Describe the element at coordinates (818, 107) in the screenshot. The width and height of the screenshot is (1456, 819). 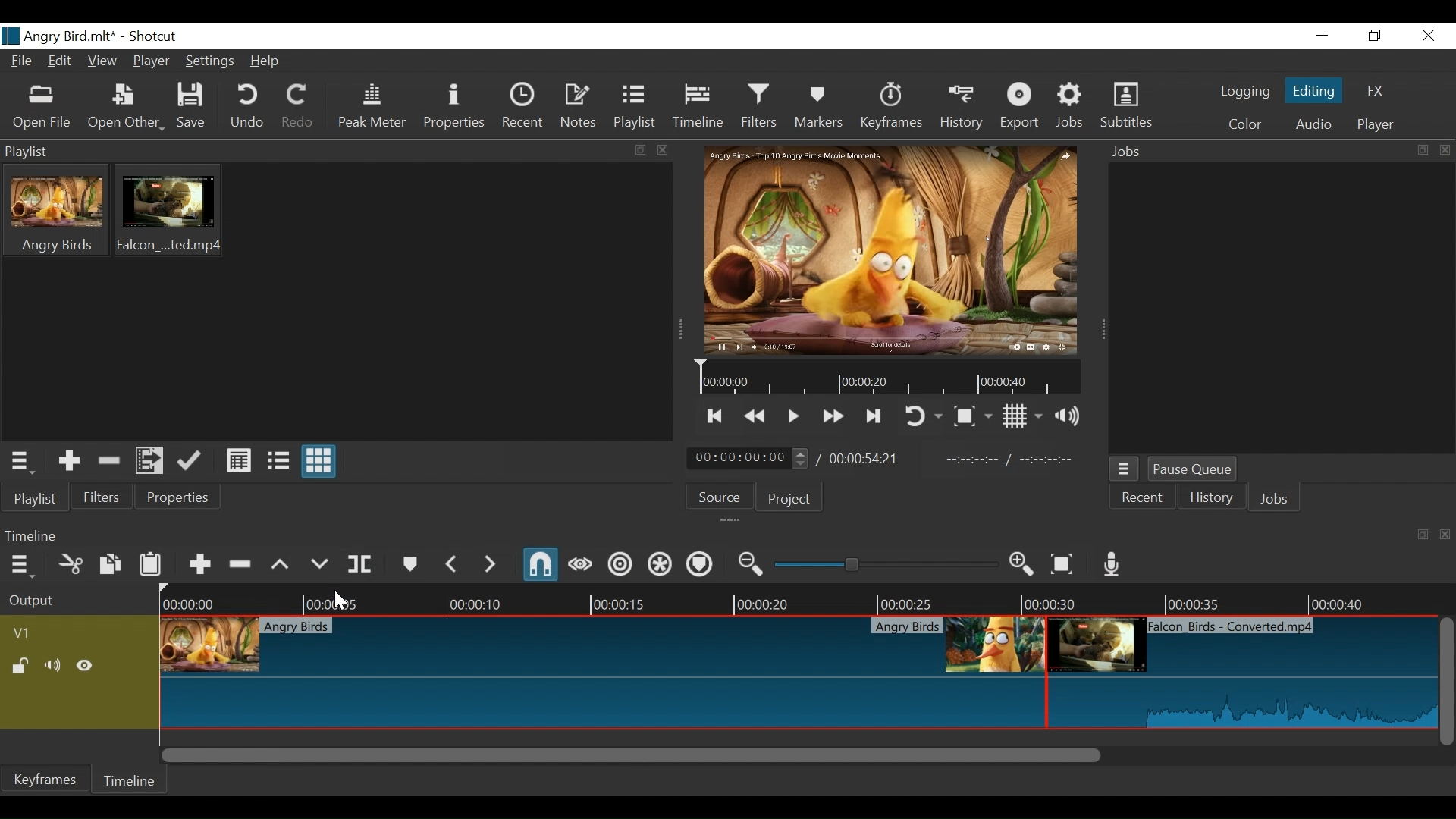
I see `Markers` at that location.